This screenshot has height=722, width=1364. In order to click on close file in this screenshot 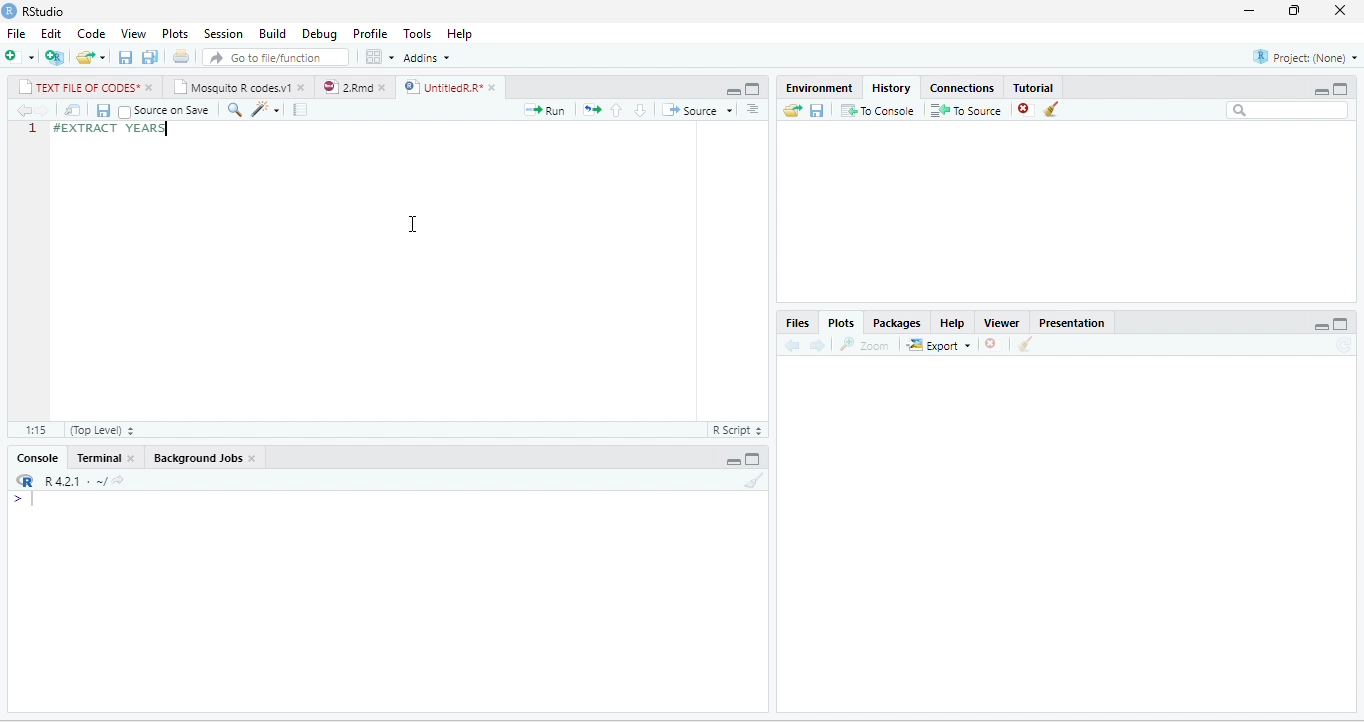, I will do `click(1026, 109)`.